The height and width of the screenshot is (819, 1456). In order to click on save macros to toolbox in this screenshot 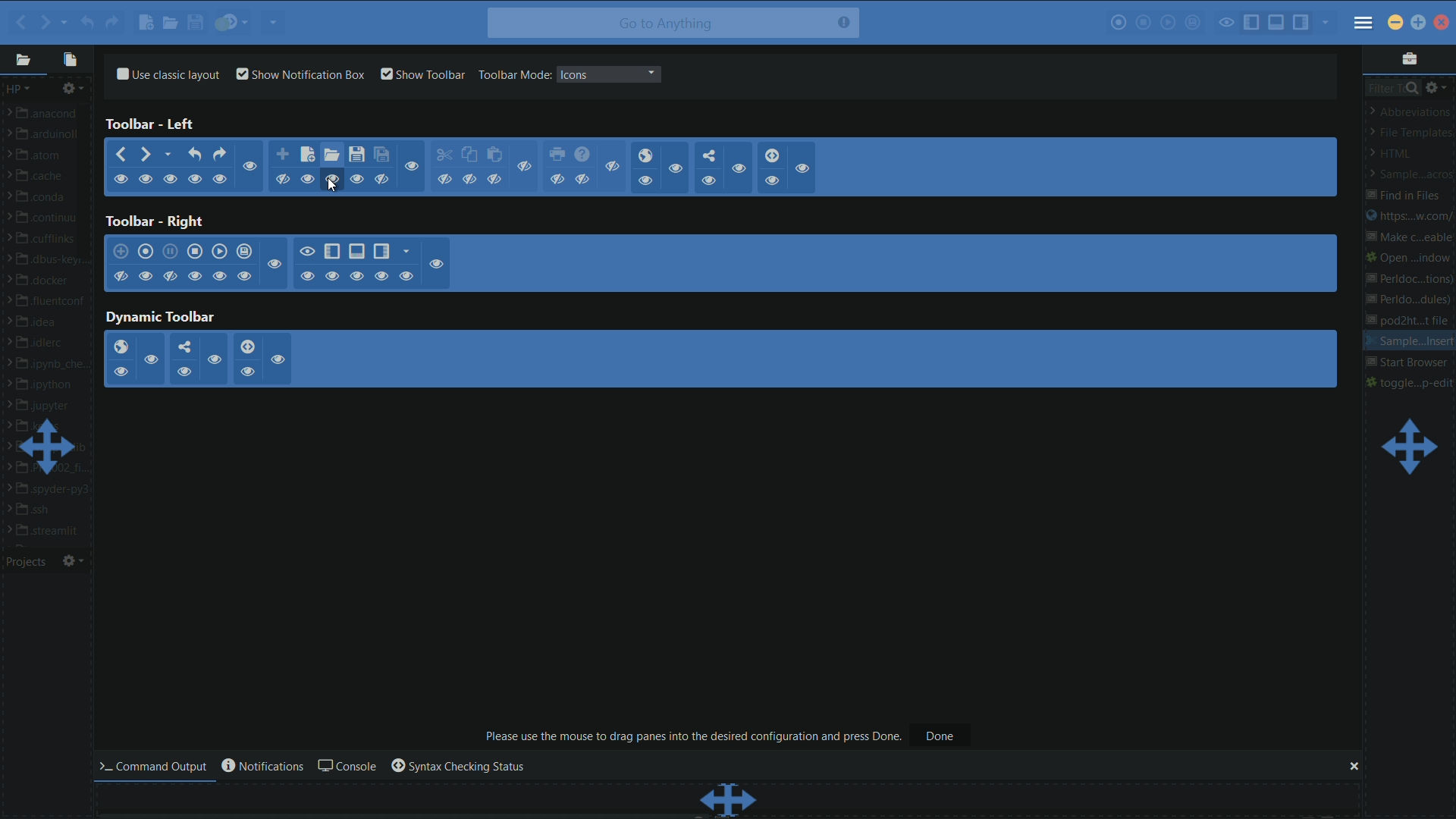, I will do `click(1194, 22)`.